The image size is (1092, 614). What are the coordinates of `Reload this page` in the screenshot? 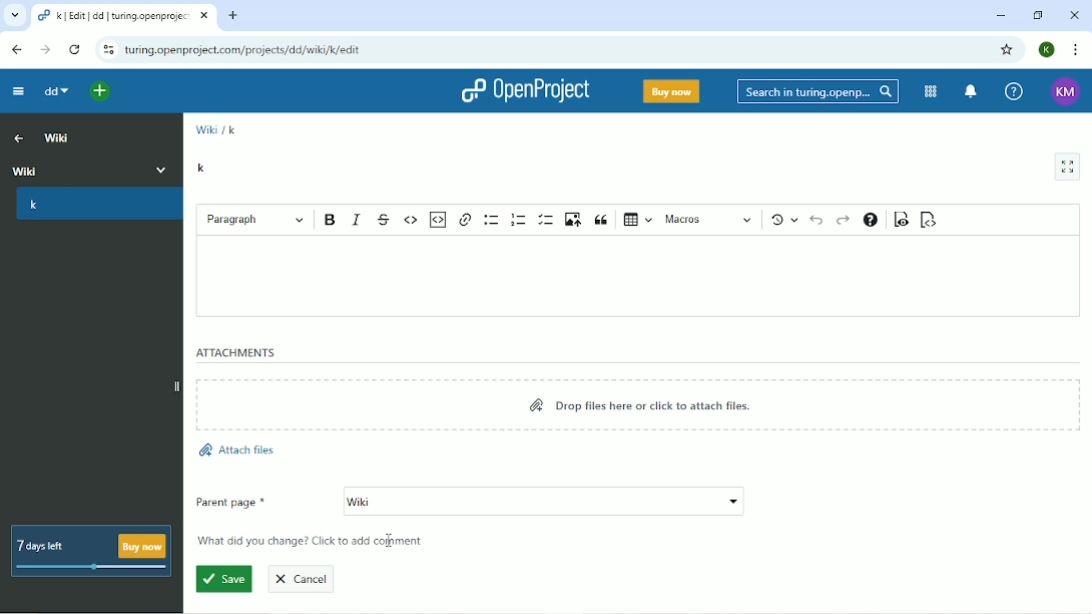 It's located at (74, 50).